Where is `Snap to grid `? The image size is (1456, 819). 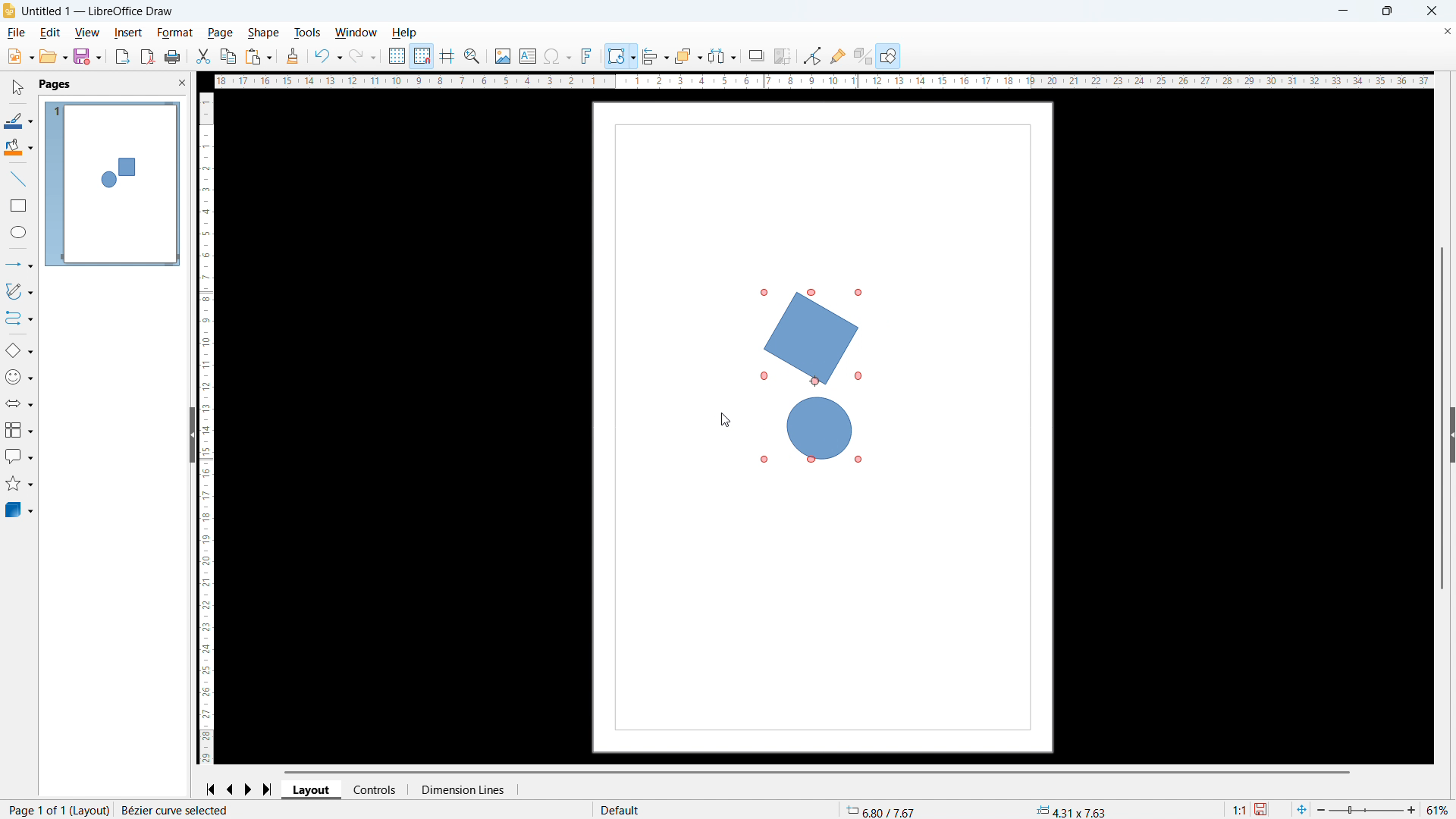 Snap to grid  is located at coordinates (422, 56).